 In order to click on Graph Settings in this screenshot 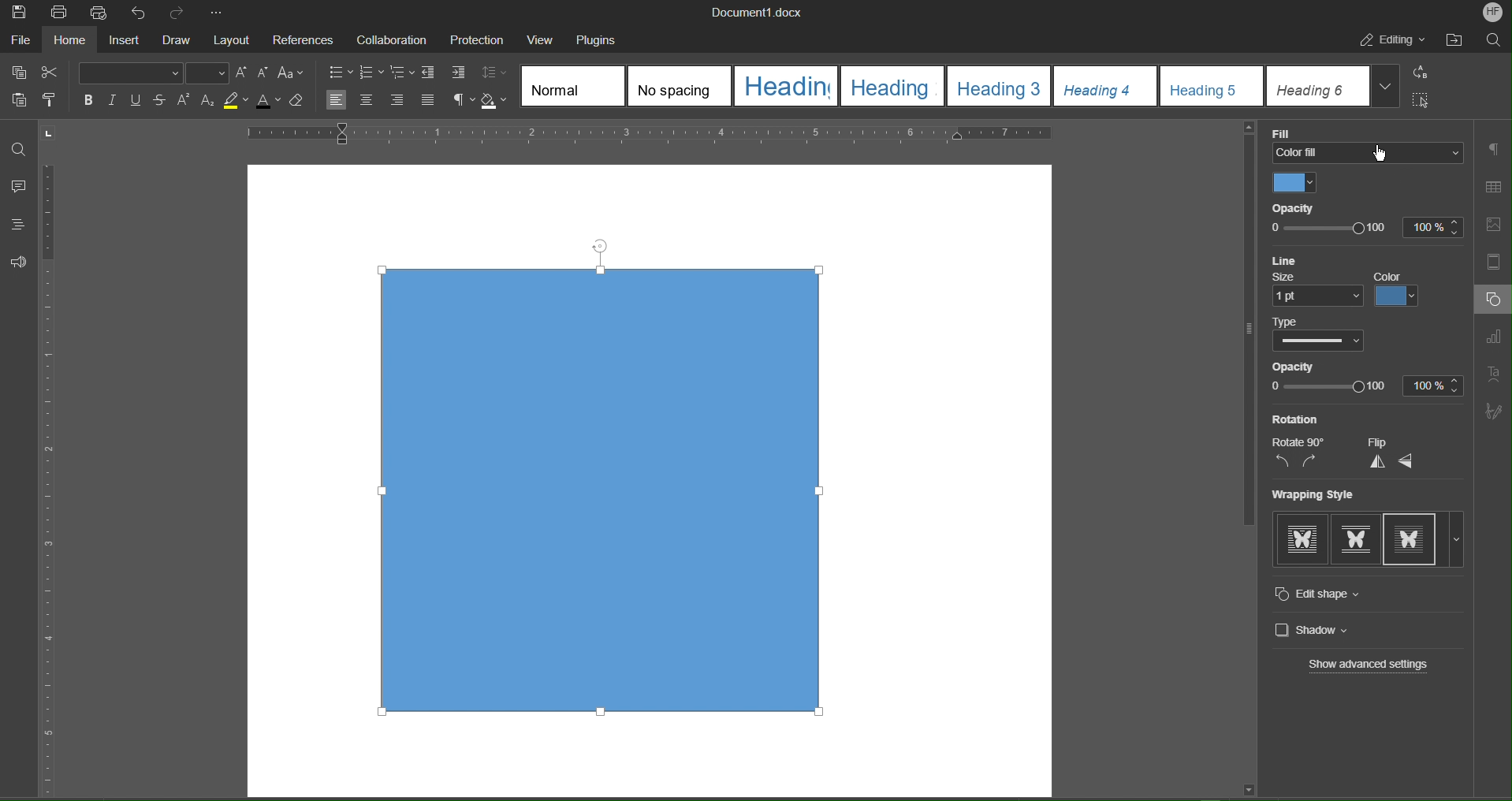, I will do `click(1497, 337)`.